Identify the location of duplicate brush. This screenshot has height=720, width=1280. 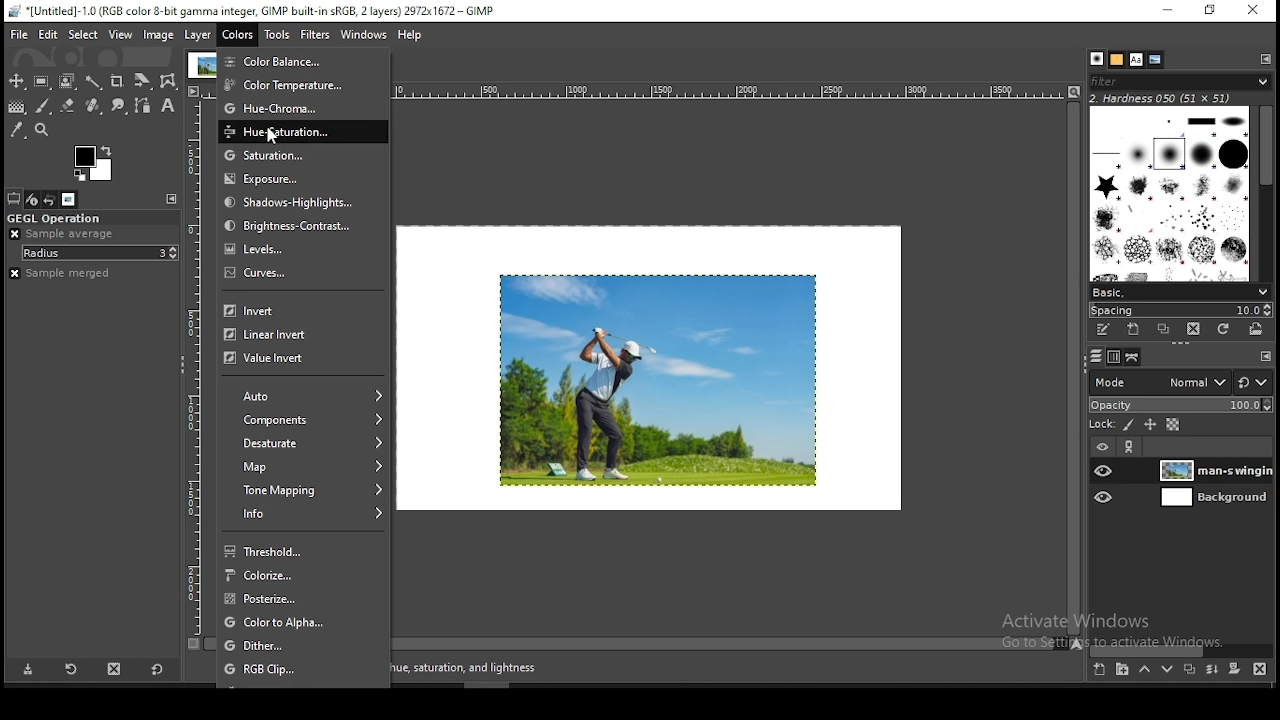
(1164, 330).